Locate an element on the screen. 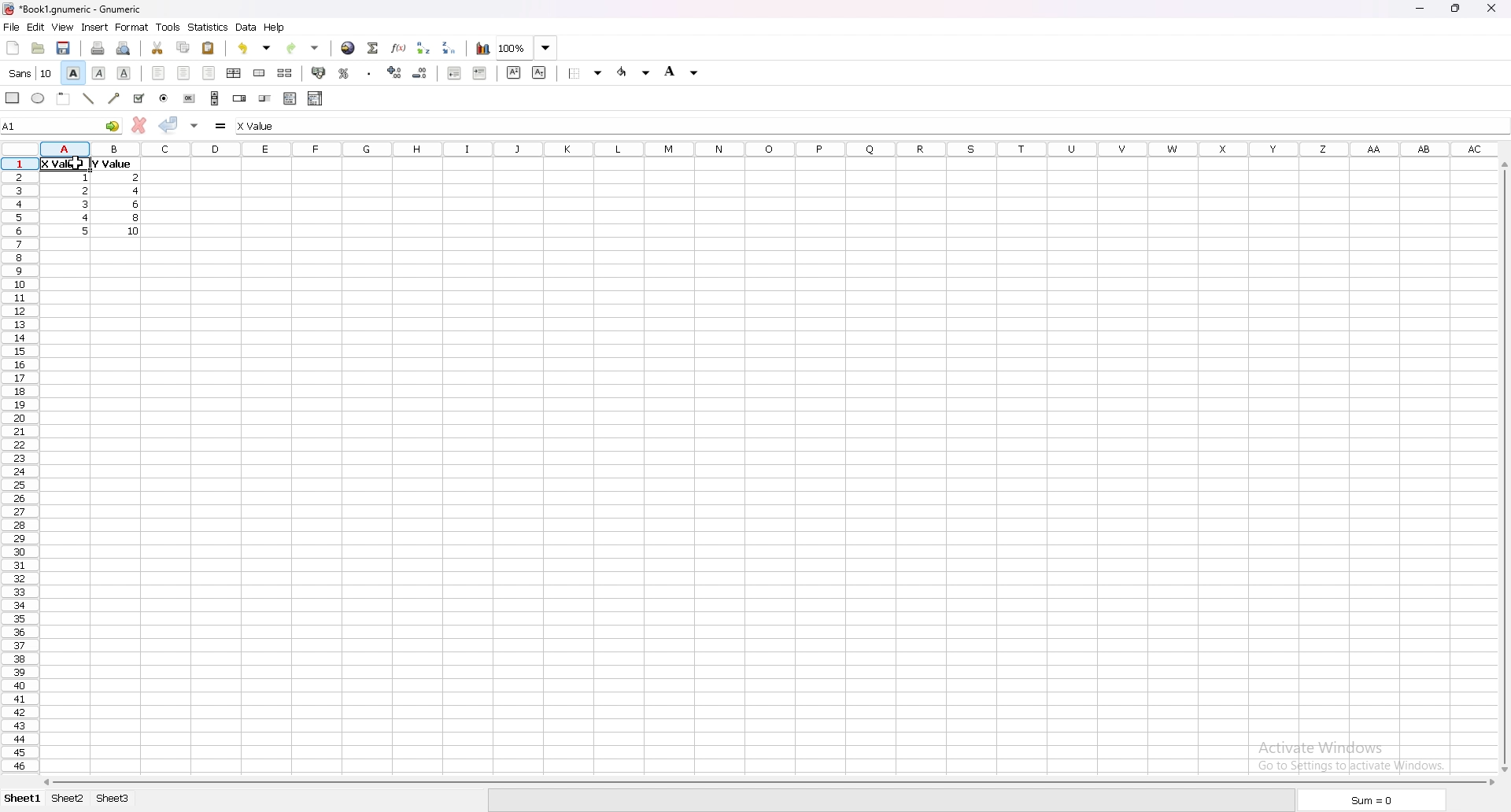  copy is located at coordinates (183, 47).